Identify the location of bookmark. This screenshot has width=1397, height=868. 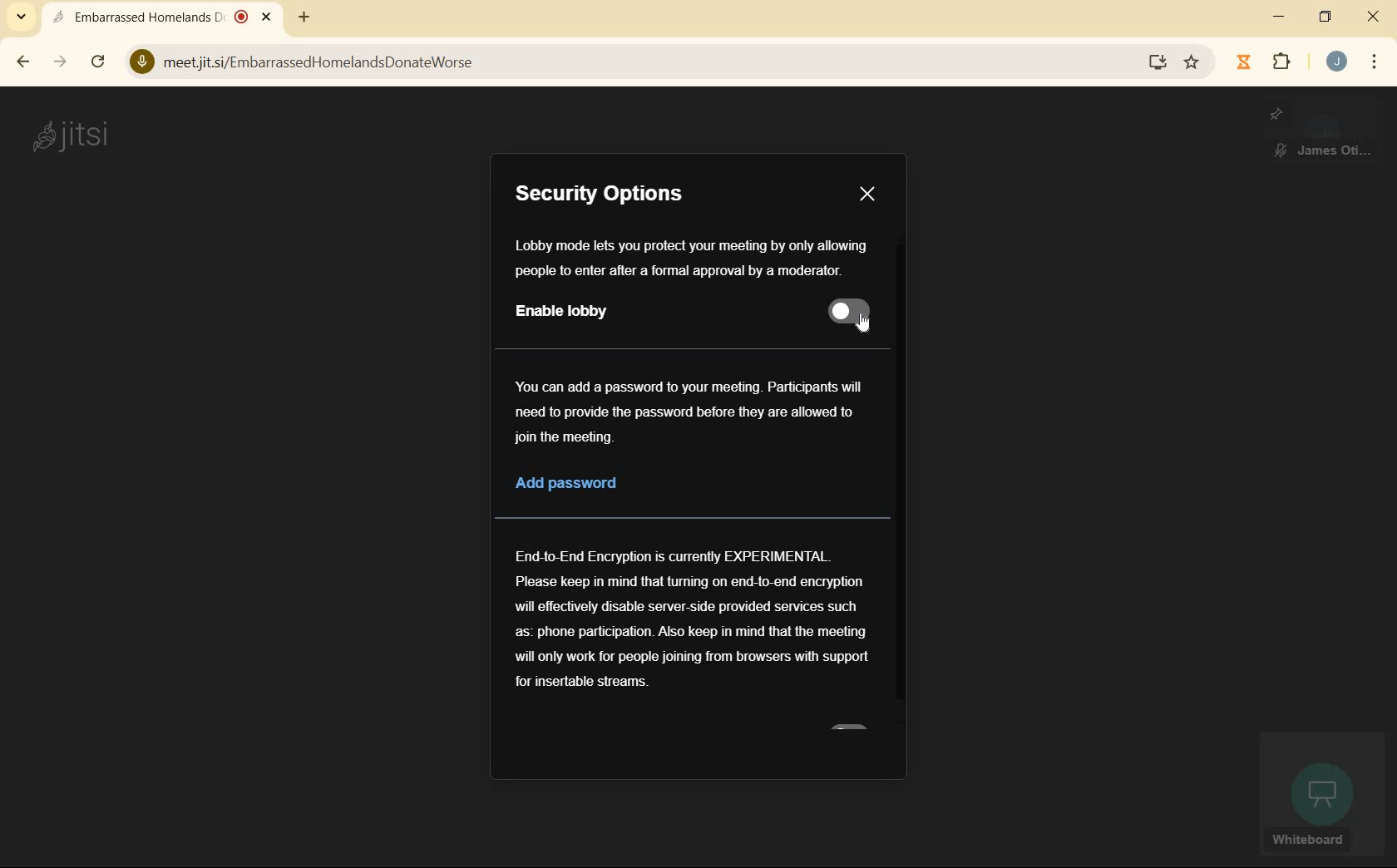
(1192, 64).